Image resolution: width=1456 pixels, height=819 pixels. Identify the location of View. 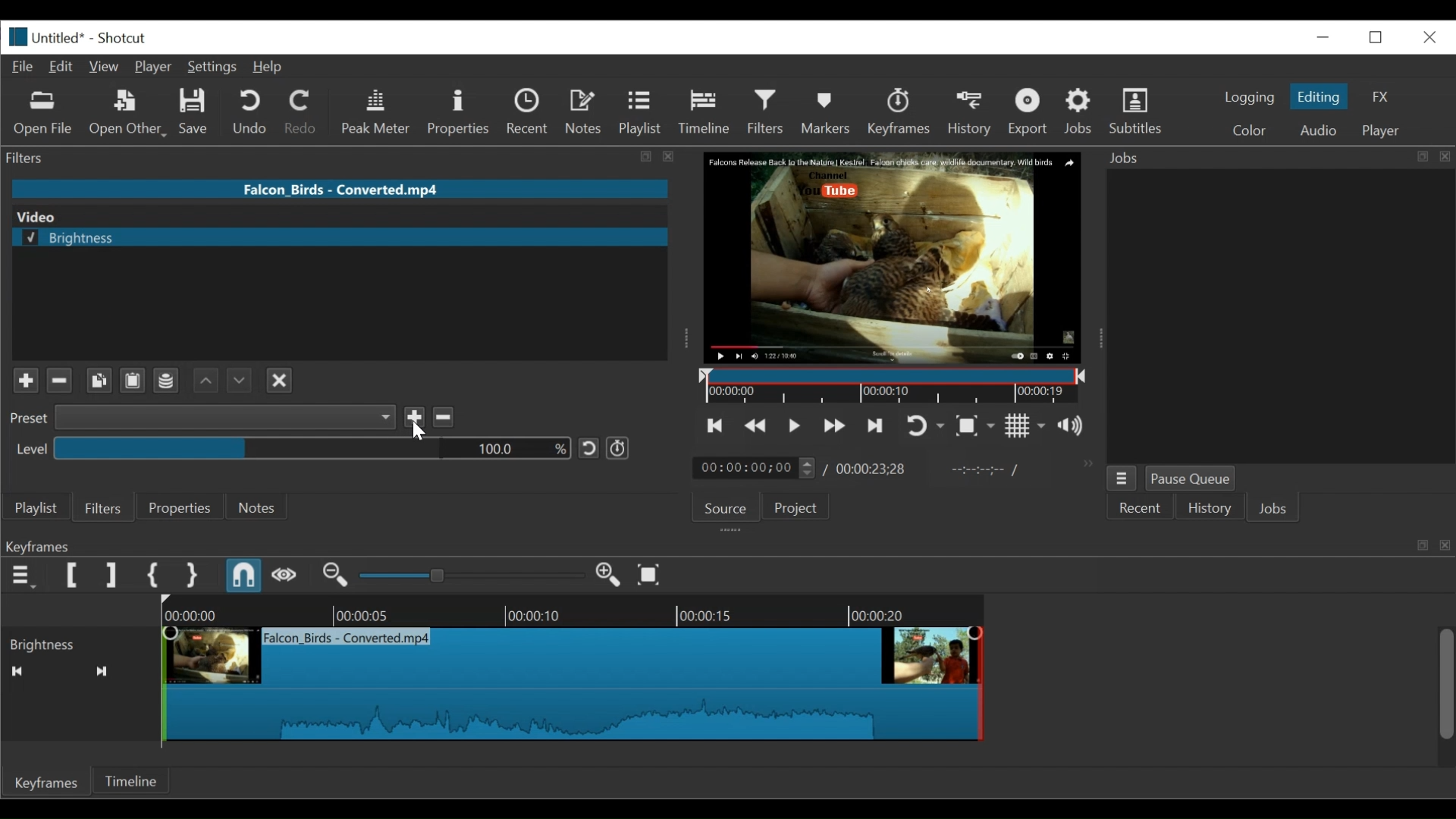
(103, 67).